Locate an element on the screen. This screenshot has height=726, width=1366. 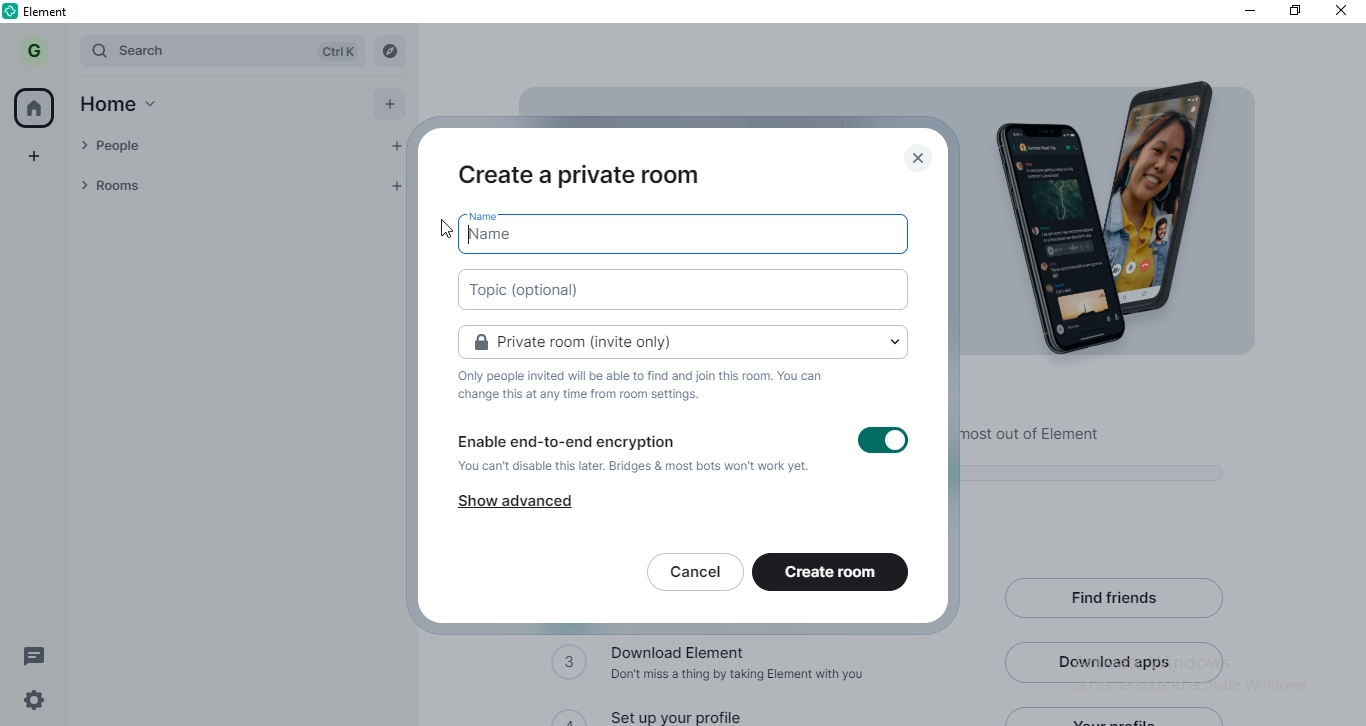
add space is located at coordinates (36, 153).